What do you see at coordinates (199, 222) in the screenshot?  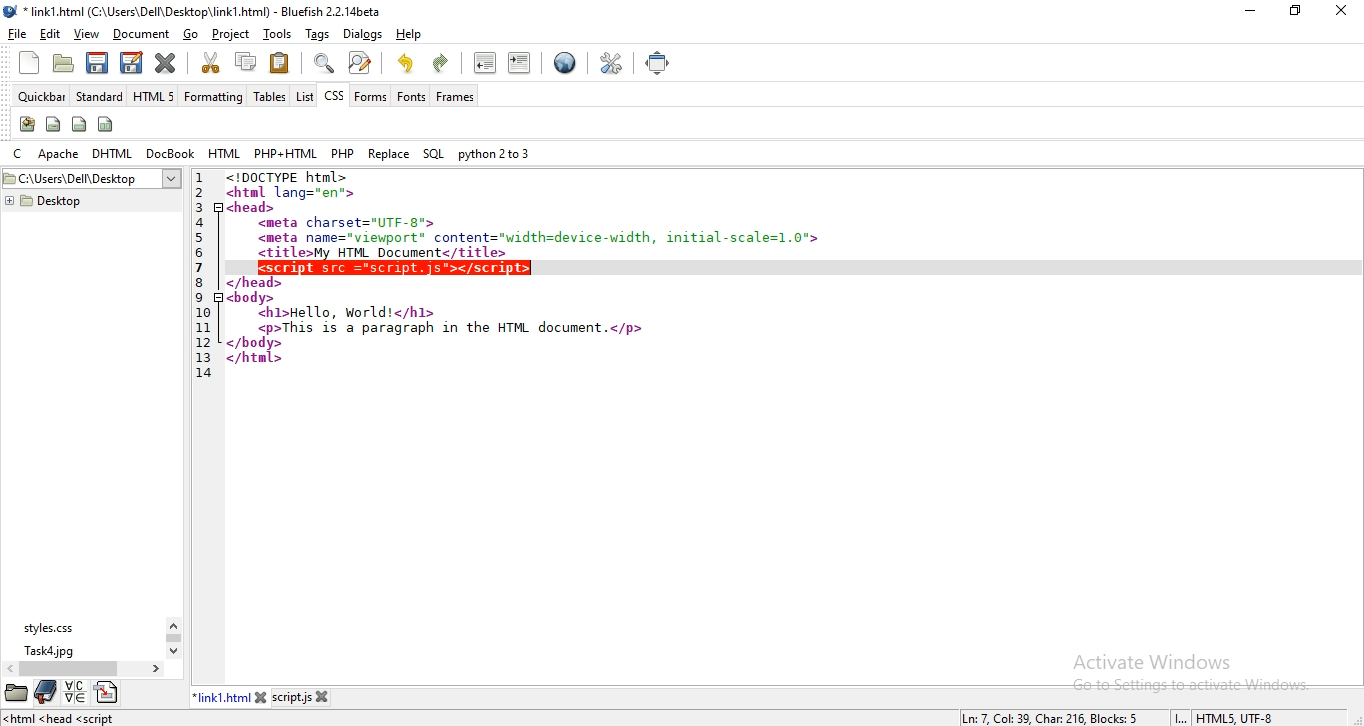 I see `4` at bounding box center [199, 222].